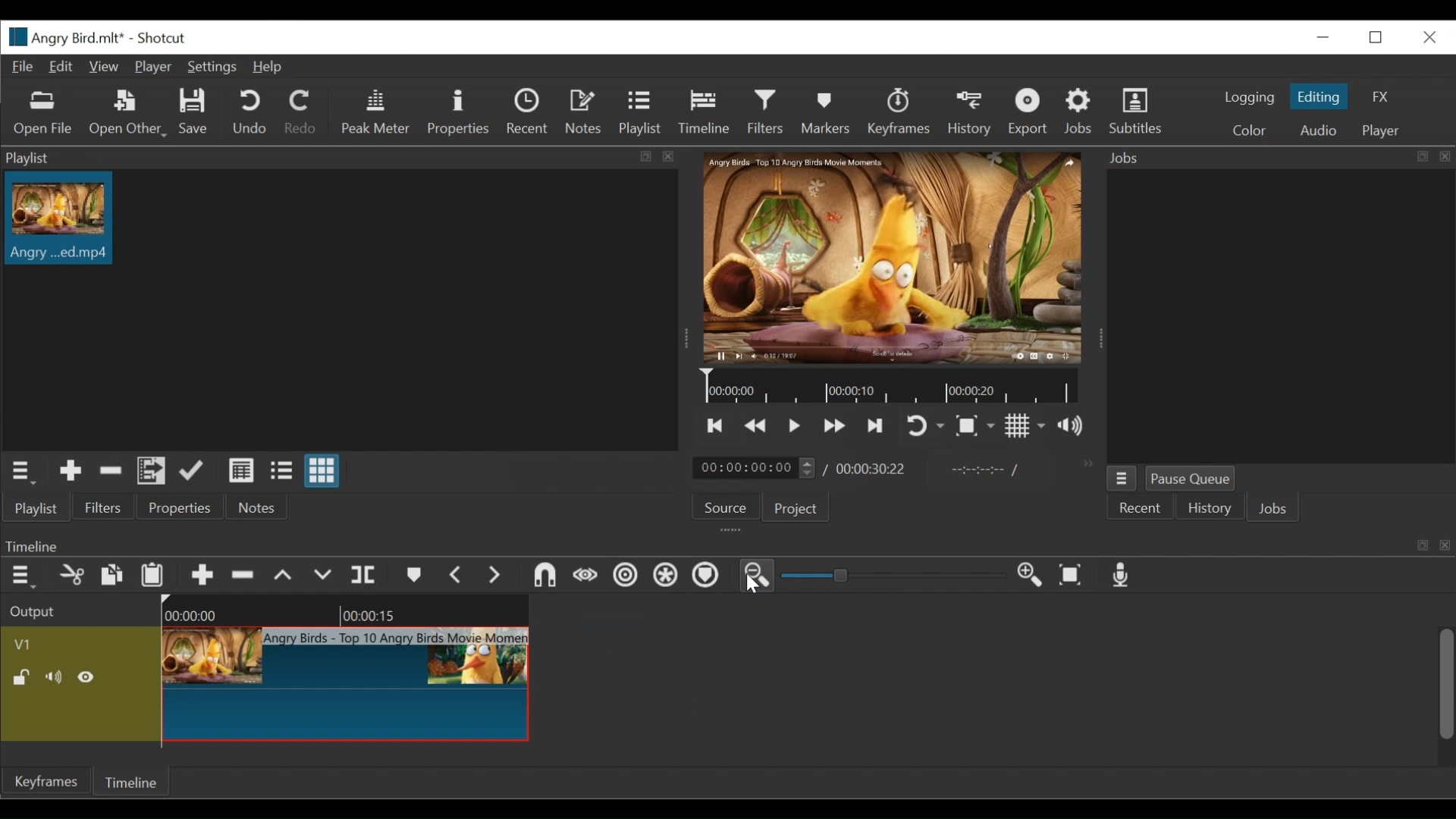 The image size is (1456, 819). What do you see at coordinates (376, 113) in the screenshot?
I see `Peak Meter` at bounding box center [376, 113].